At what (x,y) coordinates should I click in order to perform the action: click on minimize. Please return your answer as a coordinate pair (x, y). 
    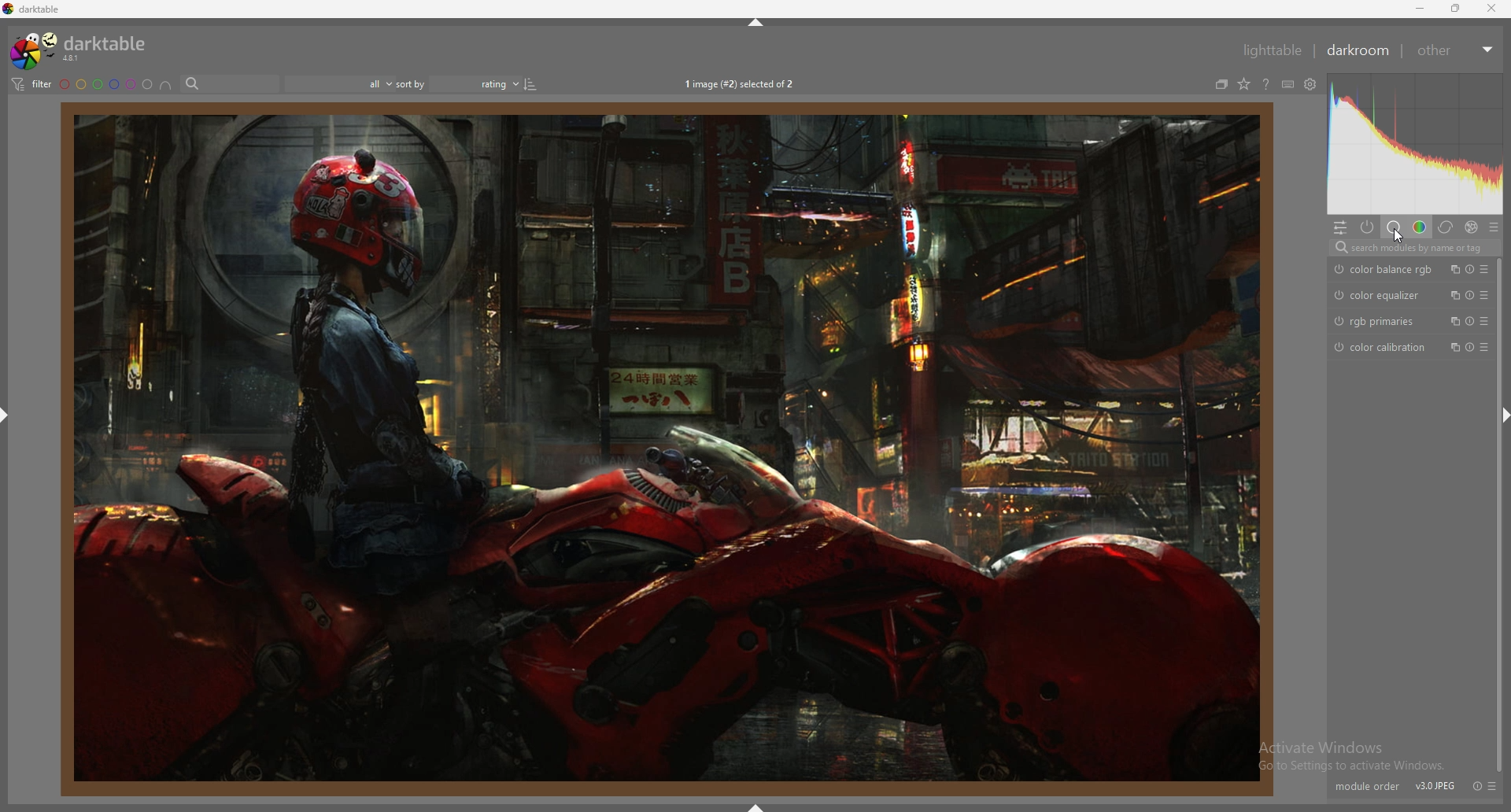
    Looking at the image, I should click on (1418, 9).